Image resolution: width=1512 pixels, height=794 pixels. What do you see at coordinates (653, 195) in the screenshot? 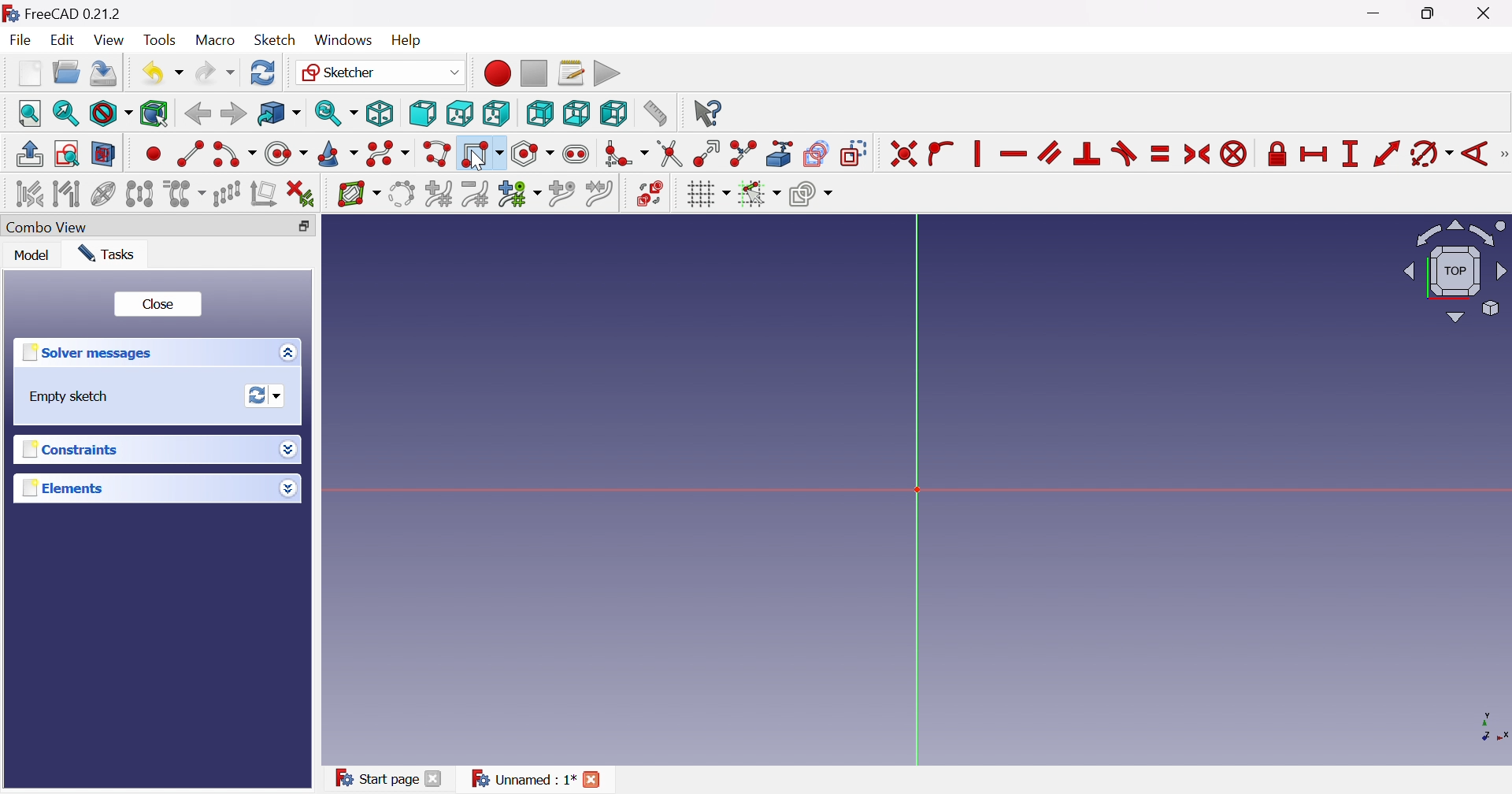
I see `Switch virtual space` at bounding box center [653, 195].